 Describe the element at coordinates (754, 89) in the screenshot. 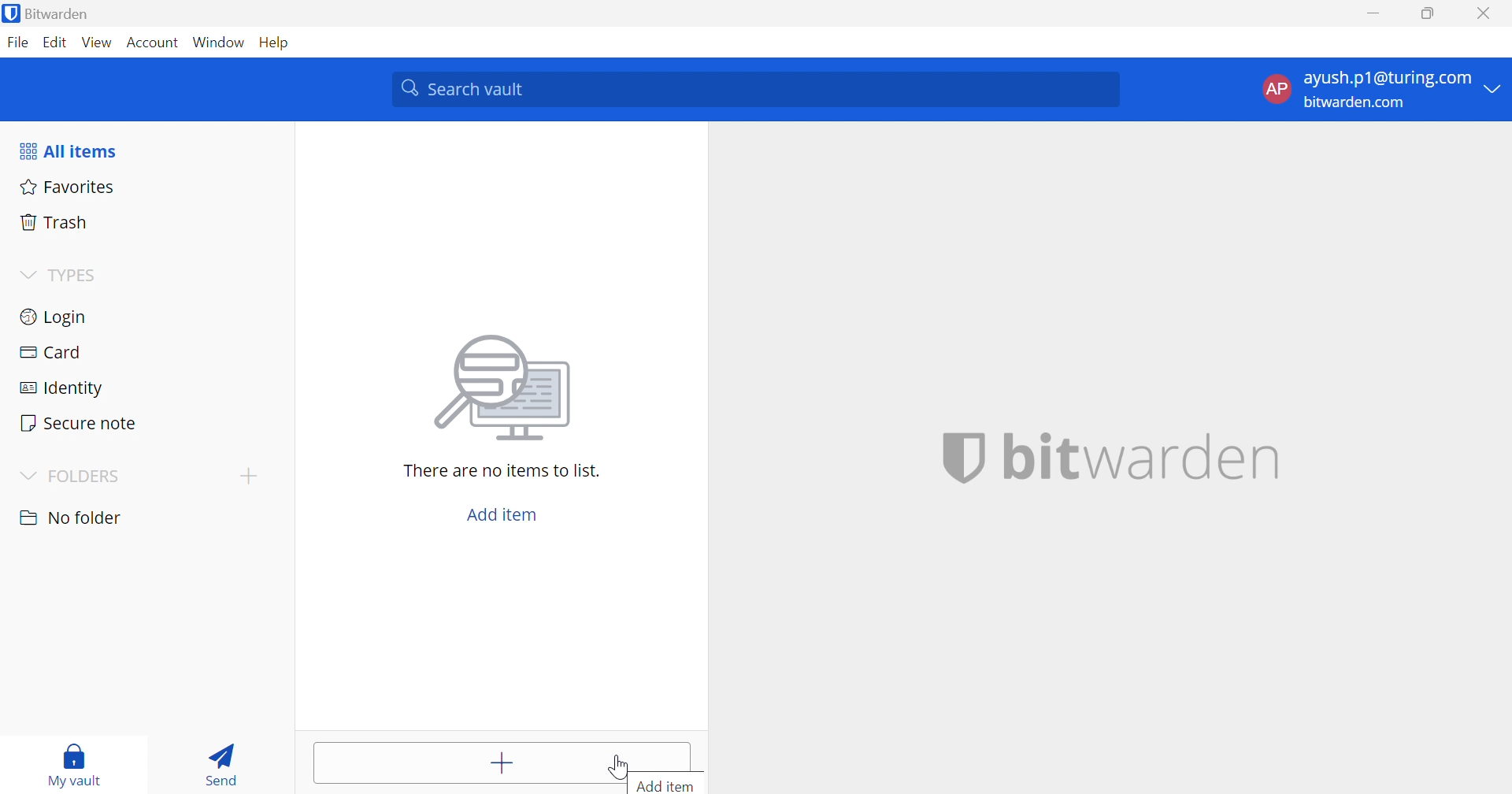

I see `Search vault` at that location.